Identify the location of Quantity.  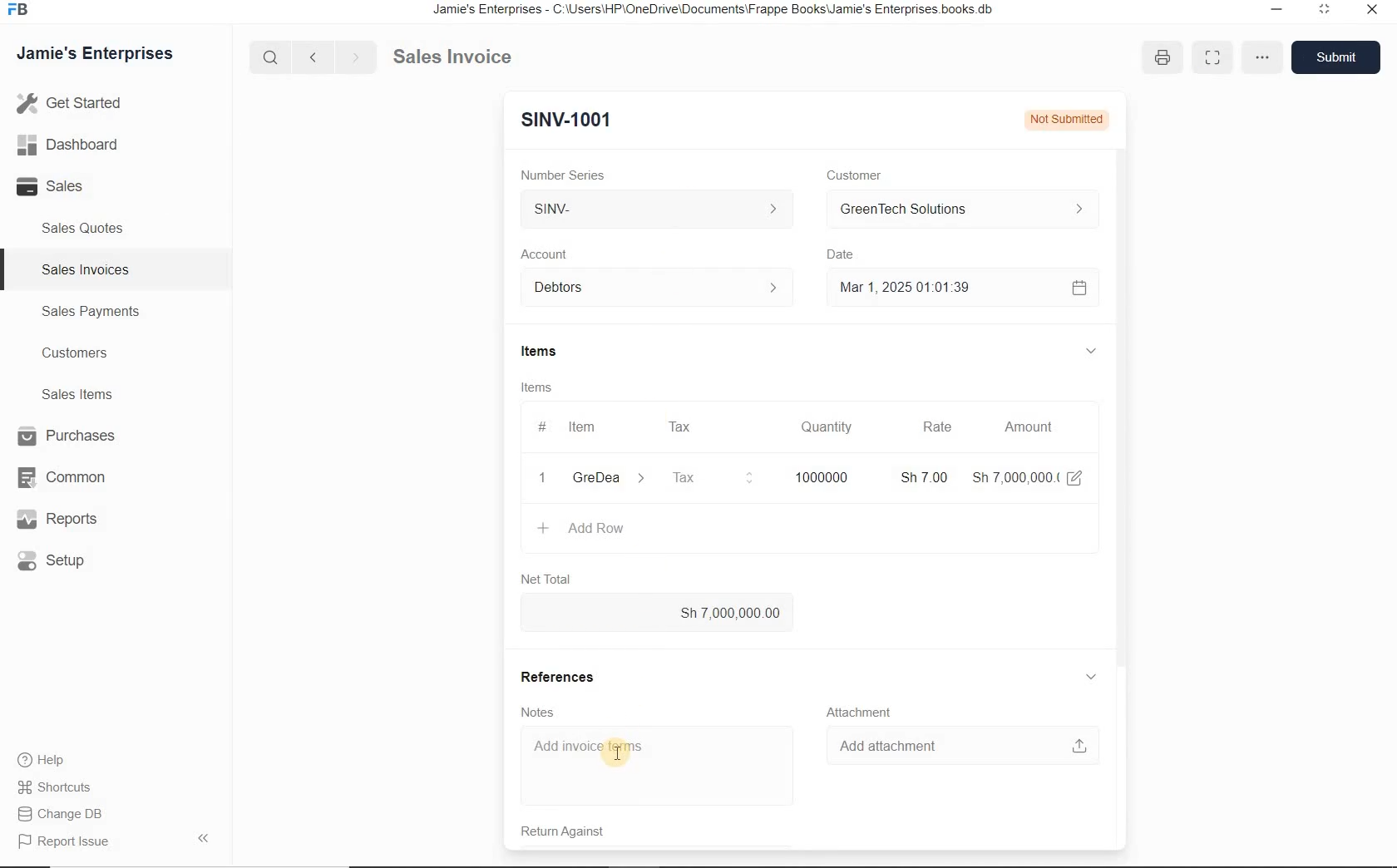
(827, 427).